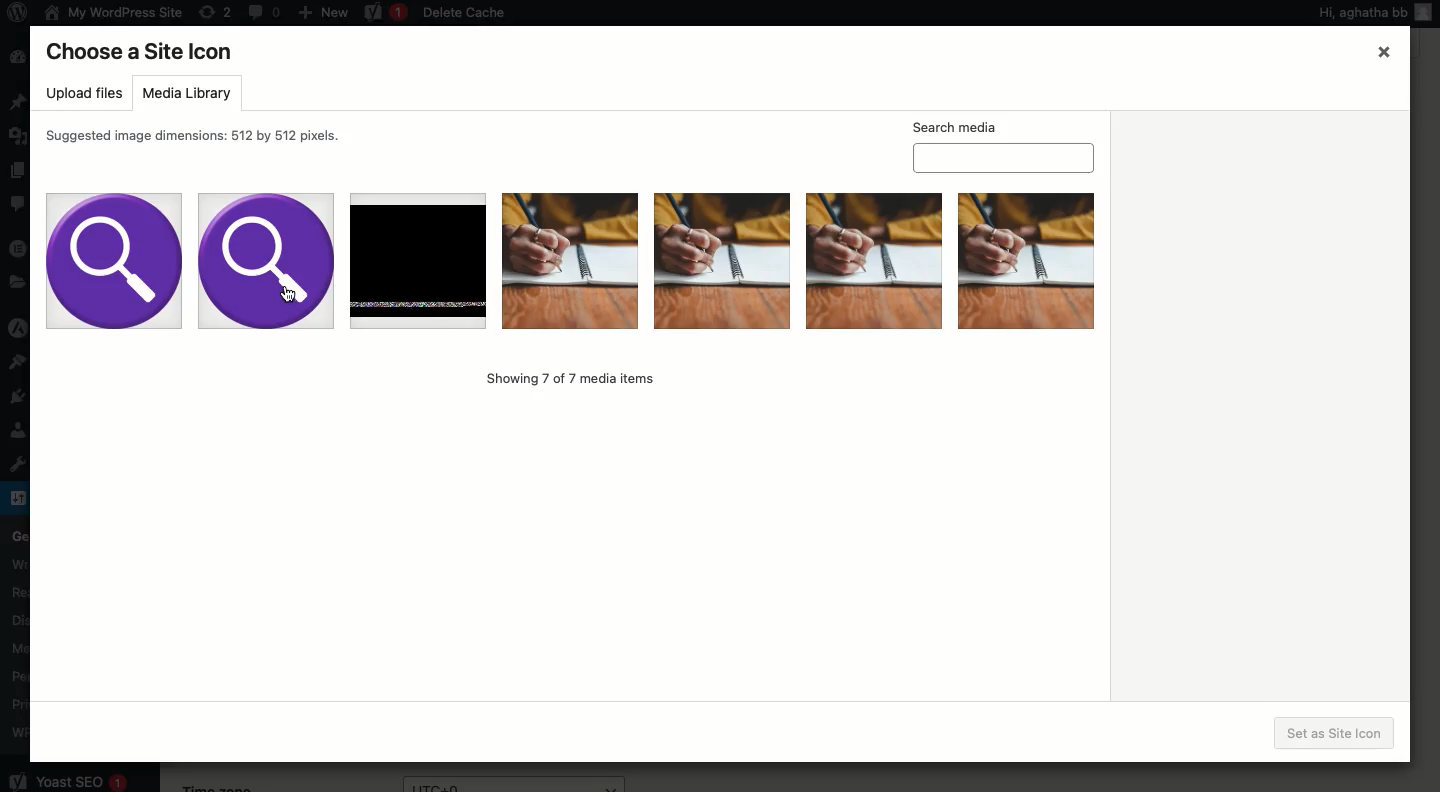 The height and width of the screenshot is (792, 1440). I want to click on Media, so click(20, 133).